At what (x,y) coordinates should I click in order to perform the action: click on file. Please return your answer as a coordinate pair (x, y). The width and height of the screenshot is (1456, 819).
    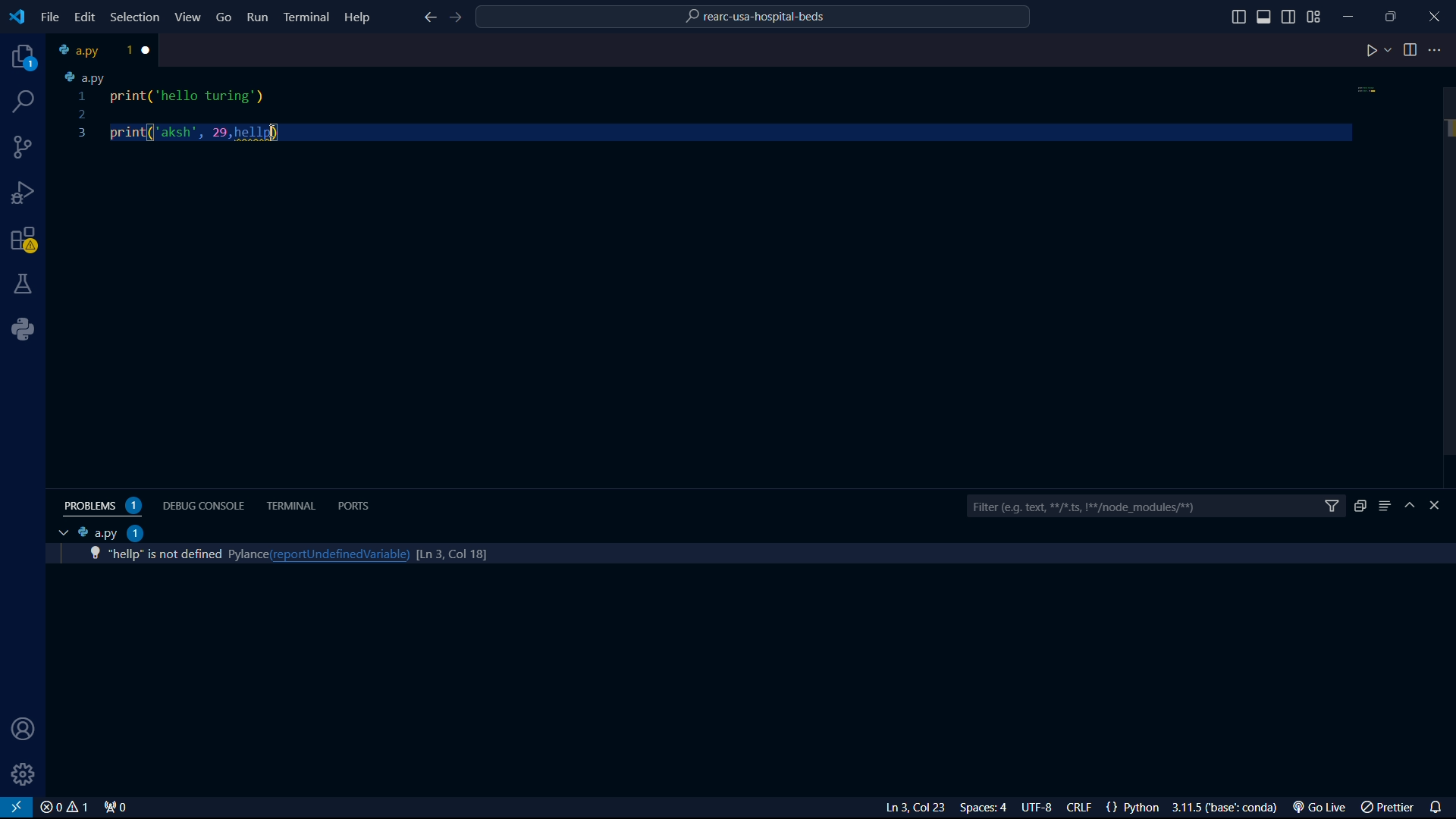
    Looking at the image, I should click on (50, 17).